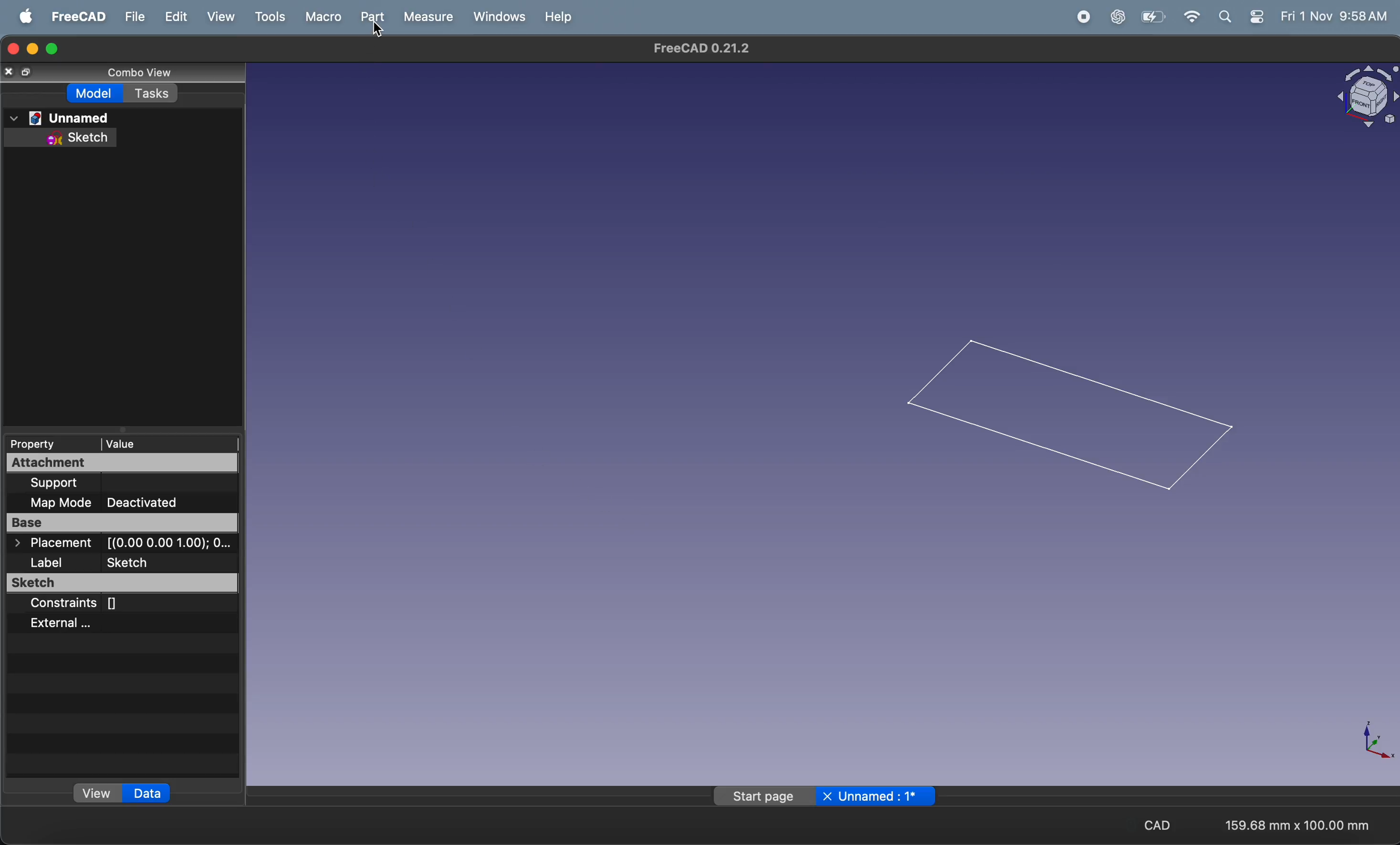 The height and width of the screenshot is (845, 1400). What do you see at coordinates (155, 97) in the screenshot?
I see `tasks` at bounding box center [155, 97].